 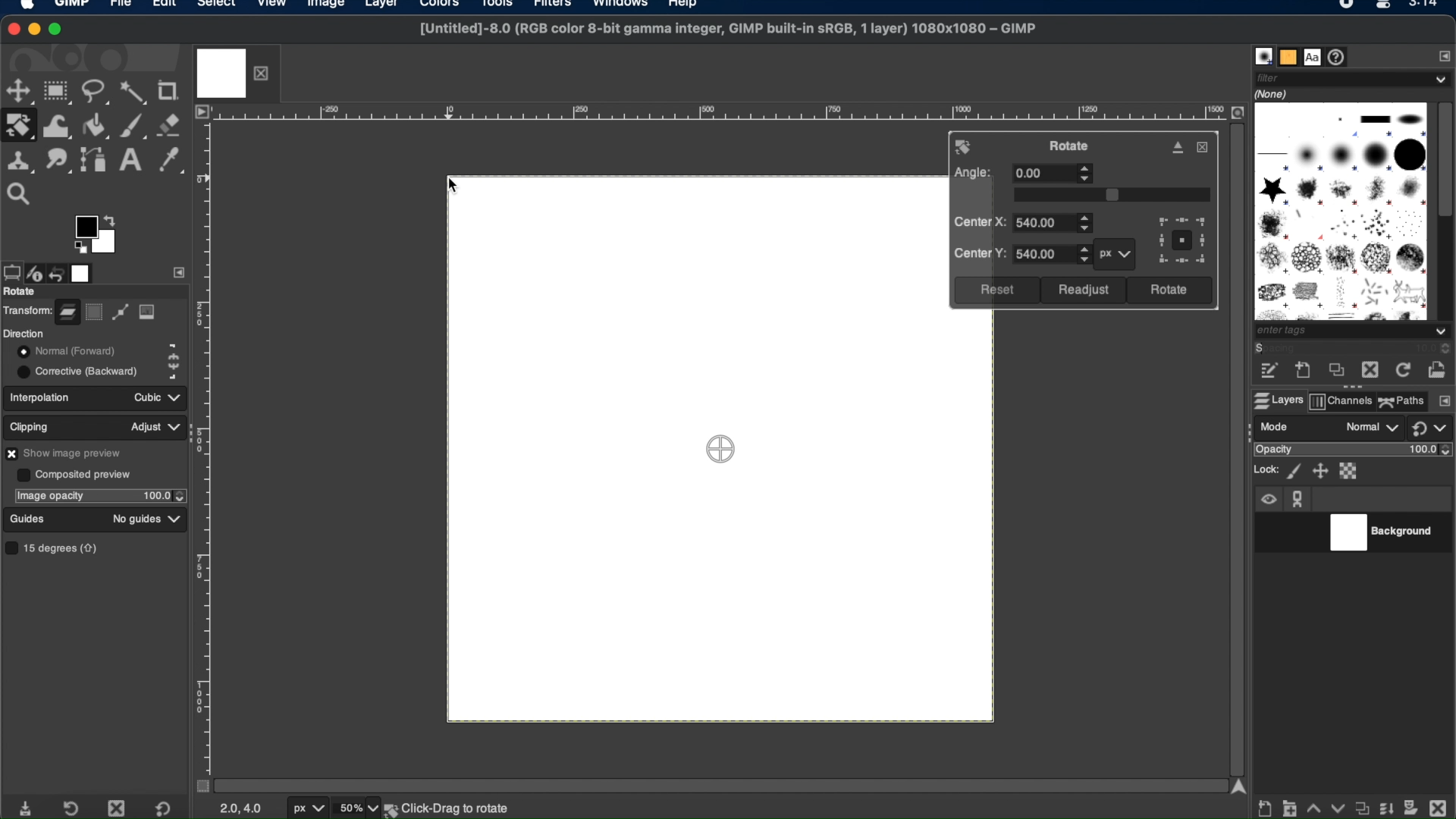 I want to click on adjust dropdown, so click(x=155, y=427).